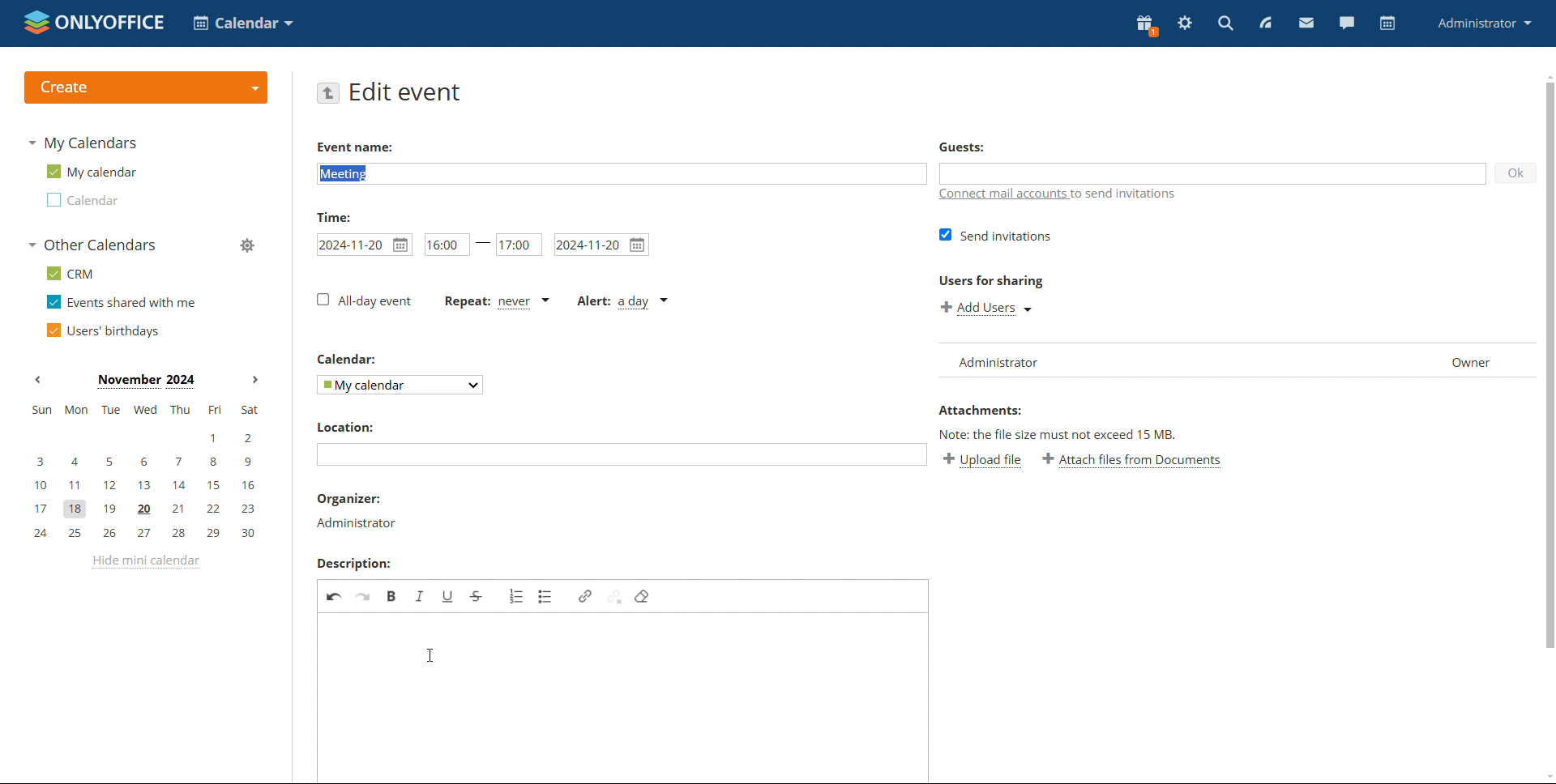 The width and height of the screenshot is (1556, 784). Describe the element at coordinates (1306, 23) in the screenshot. I see `mail` at that location.